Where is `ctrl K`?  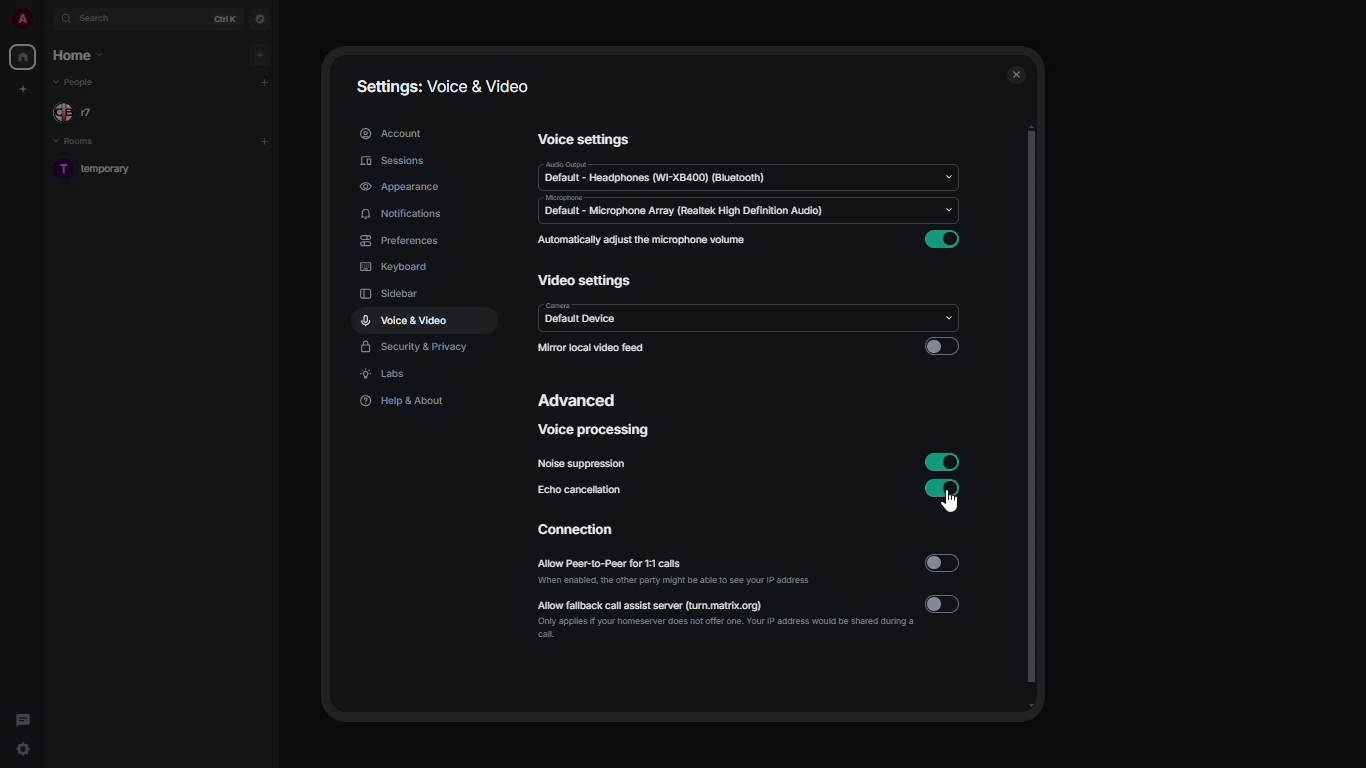
ctrl K is located at coordinates (226, 19).